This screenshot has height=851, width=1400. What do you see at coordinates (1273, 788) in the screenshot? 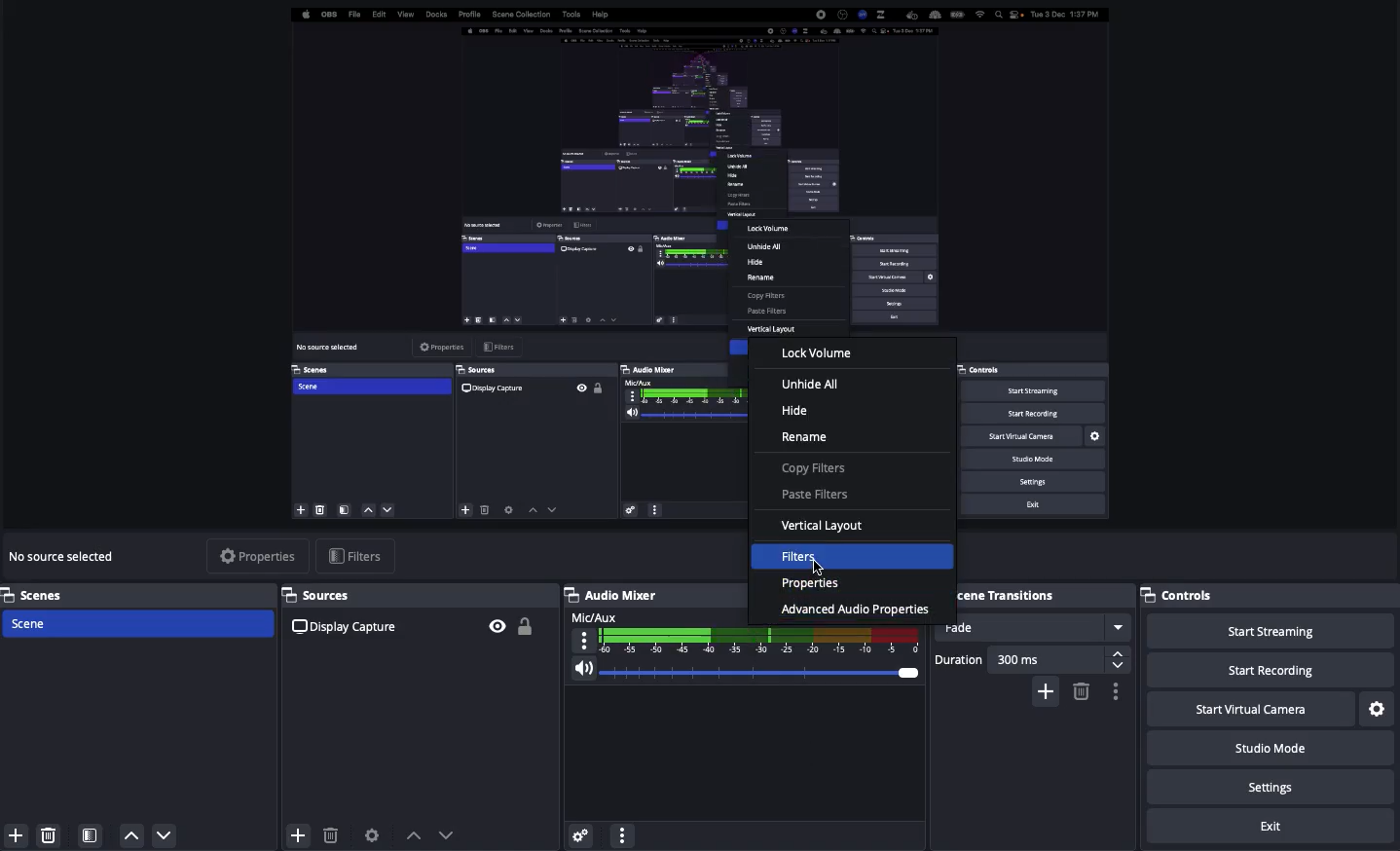
I see `Settings` at bounding box center [1273, 788].